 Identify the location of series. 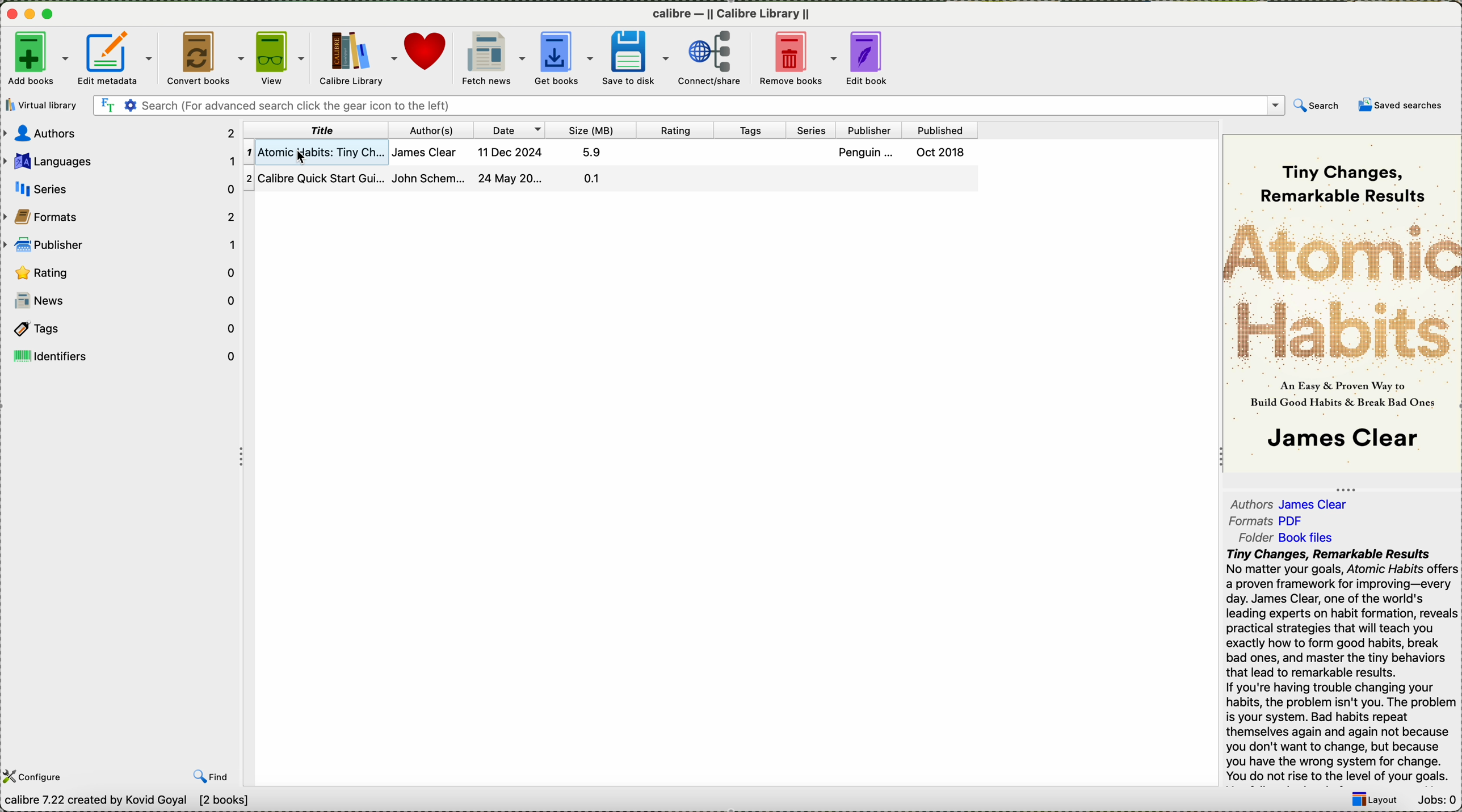
(121, 187).